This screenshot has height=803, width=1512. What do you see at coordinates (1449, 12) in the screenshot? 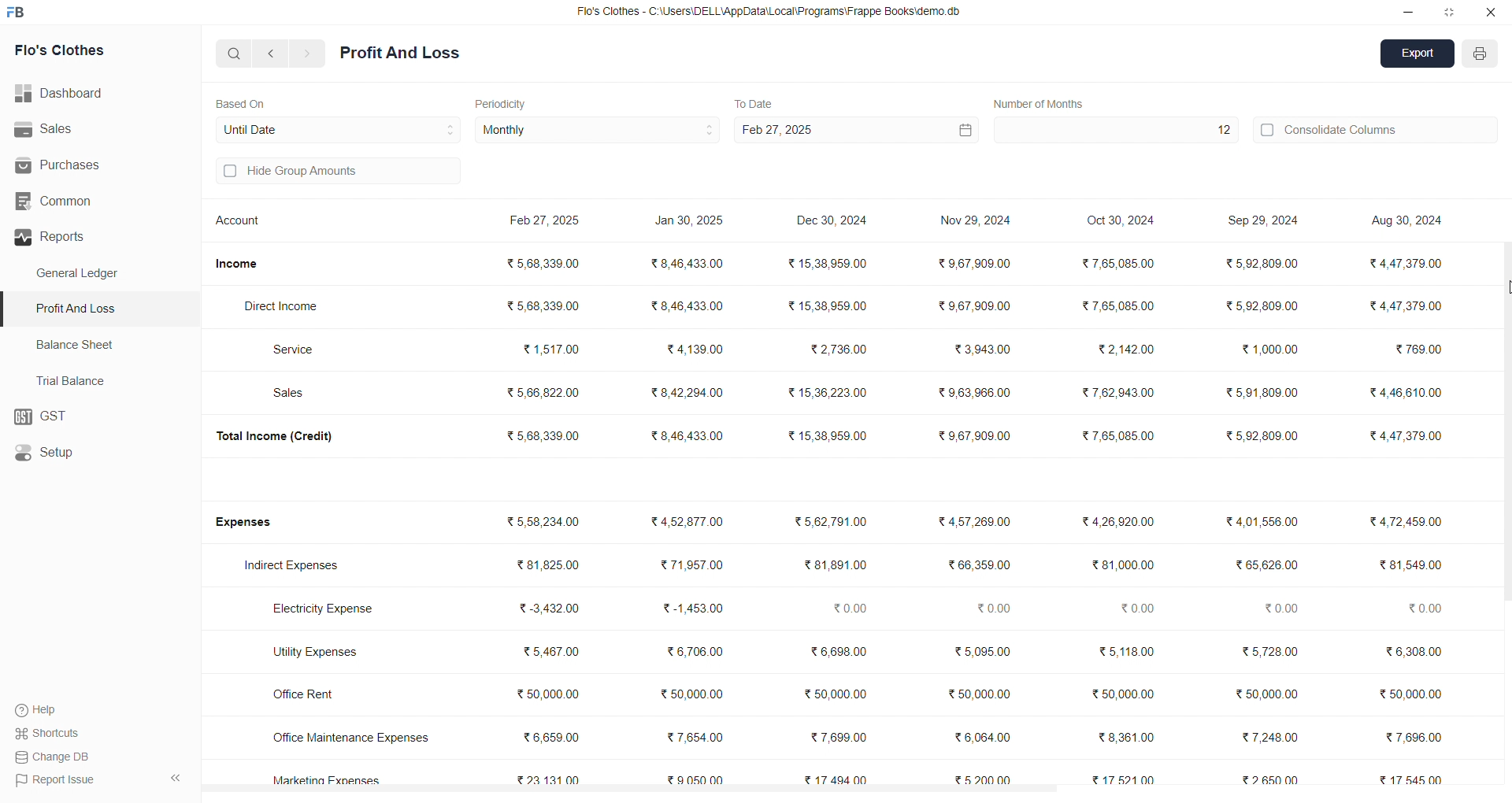
I see `resize` at bounding box center [1449, 12].